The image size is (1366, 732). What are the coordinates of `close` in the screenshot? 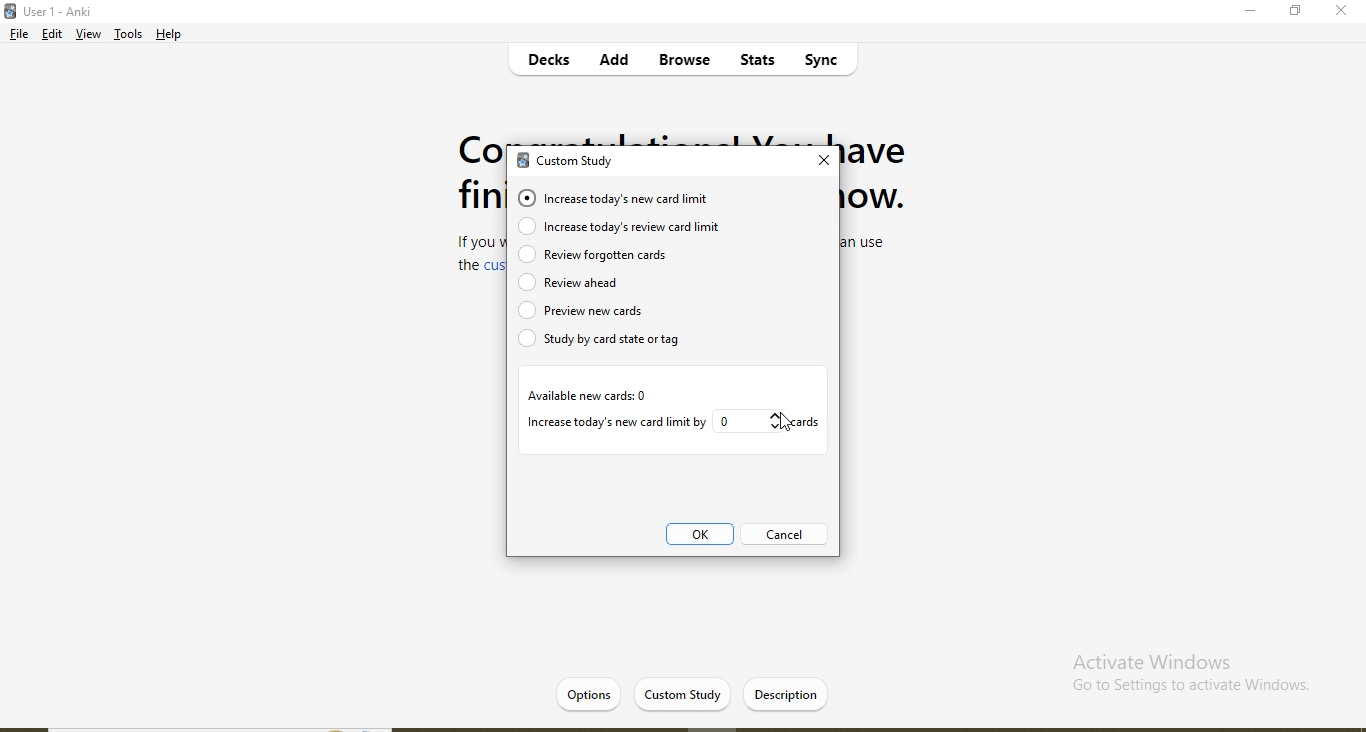 It's located at (1341, 12).